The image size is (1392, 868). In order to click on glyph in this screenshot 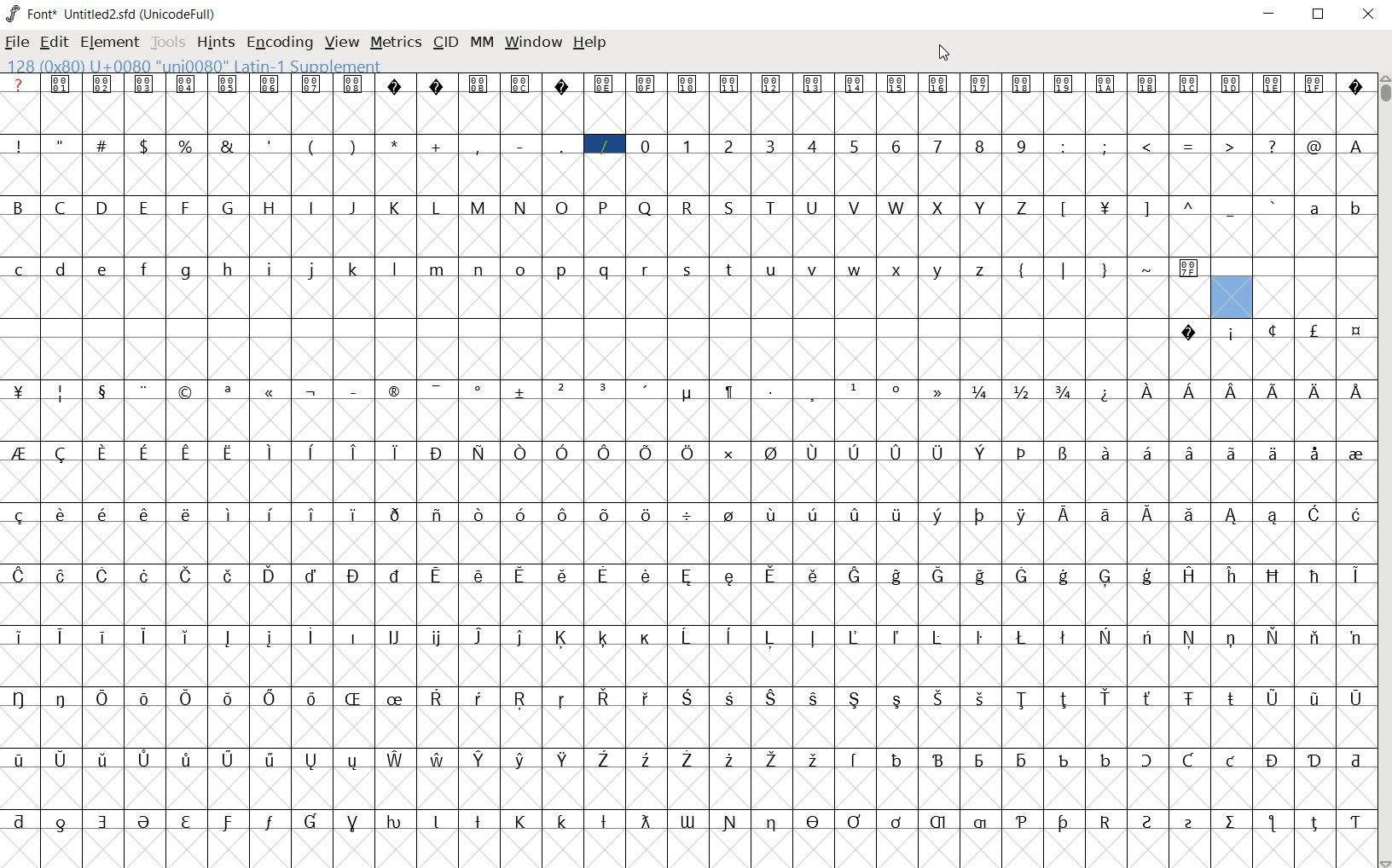, I will do `click(564, 575)`.